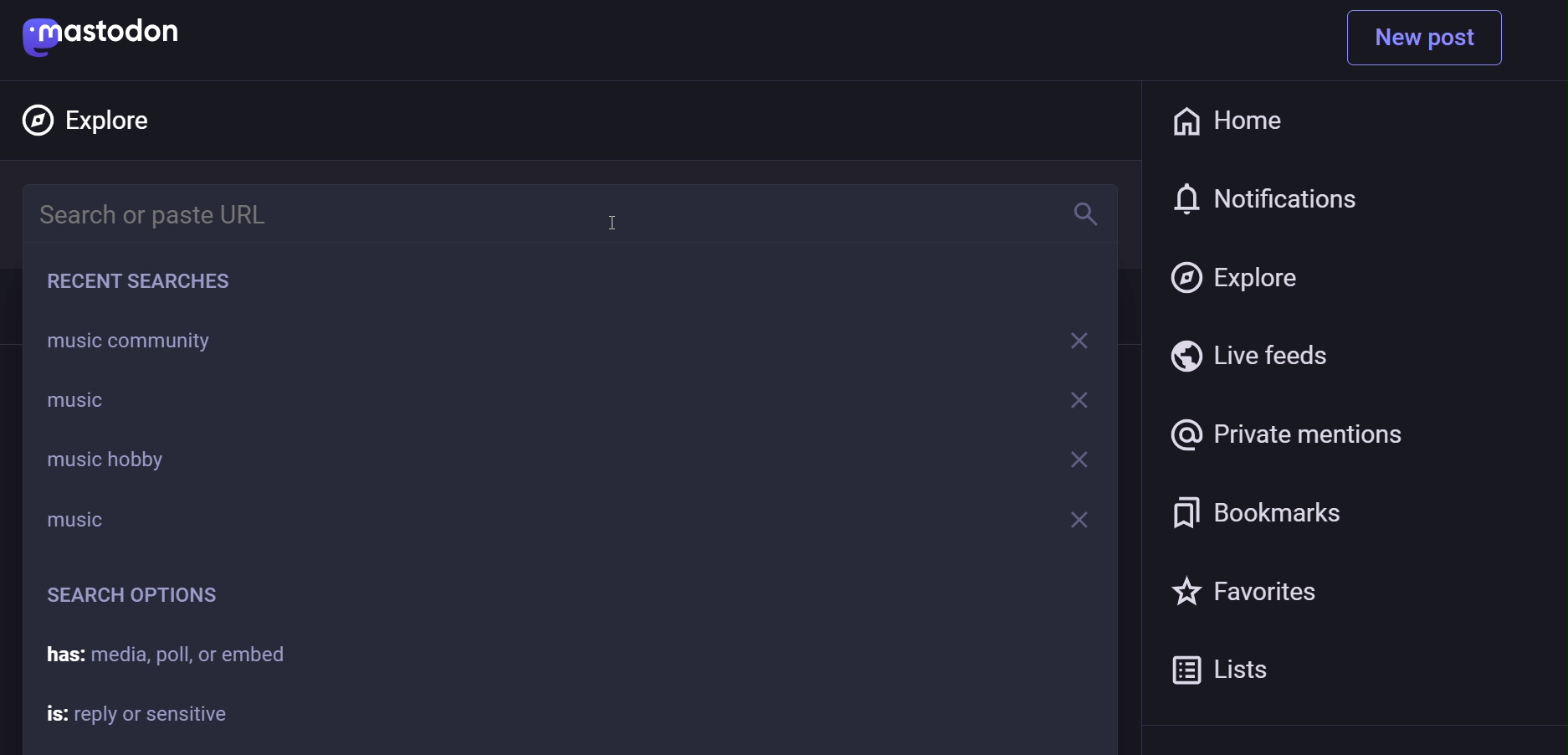 The width and height of the screenshot is (1568, 755). What do you see at coordinates (80, 118) in the screenshot?
I see `explore` at bounding box center [80, 118].